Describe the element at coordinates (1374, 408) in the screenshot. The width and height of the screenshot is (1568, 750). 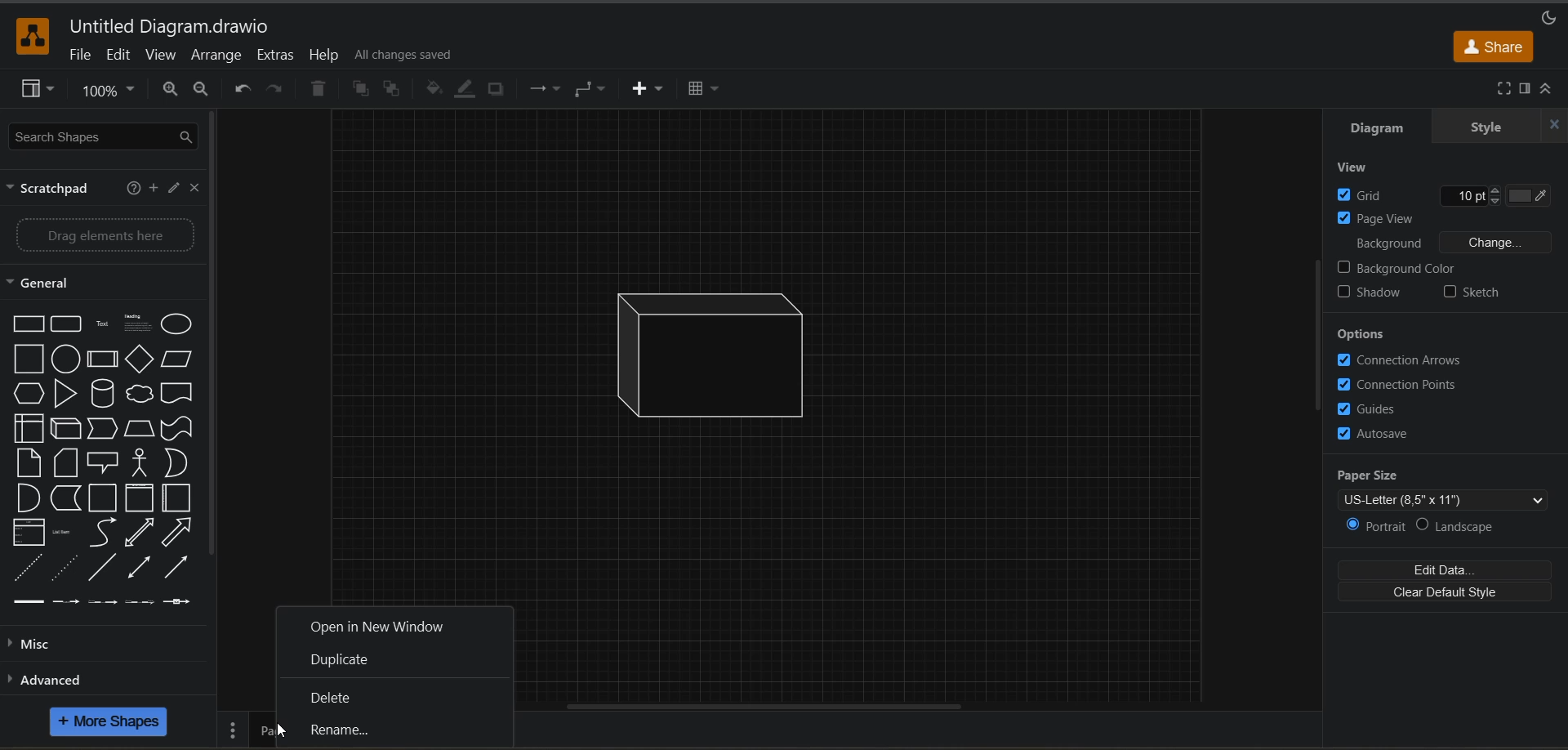
I see `guides` at that location.